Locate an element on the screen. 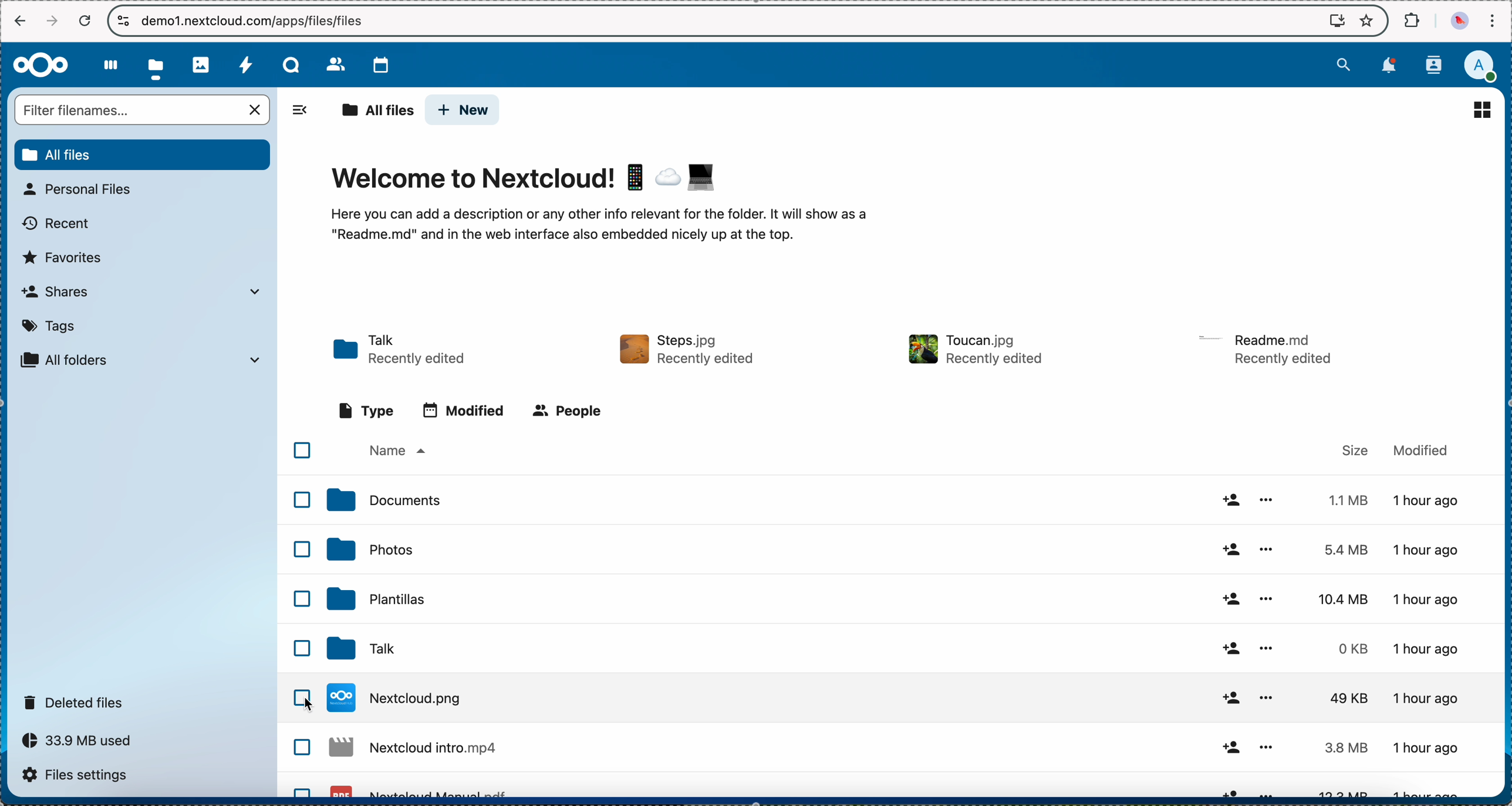 The width and height of the screenshot is (1512, 806). file is located at coordinates (900, 750).